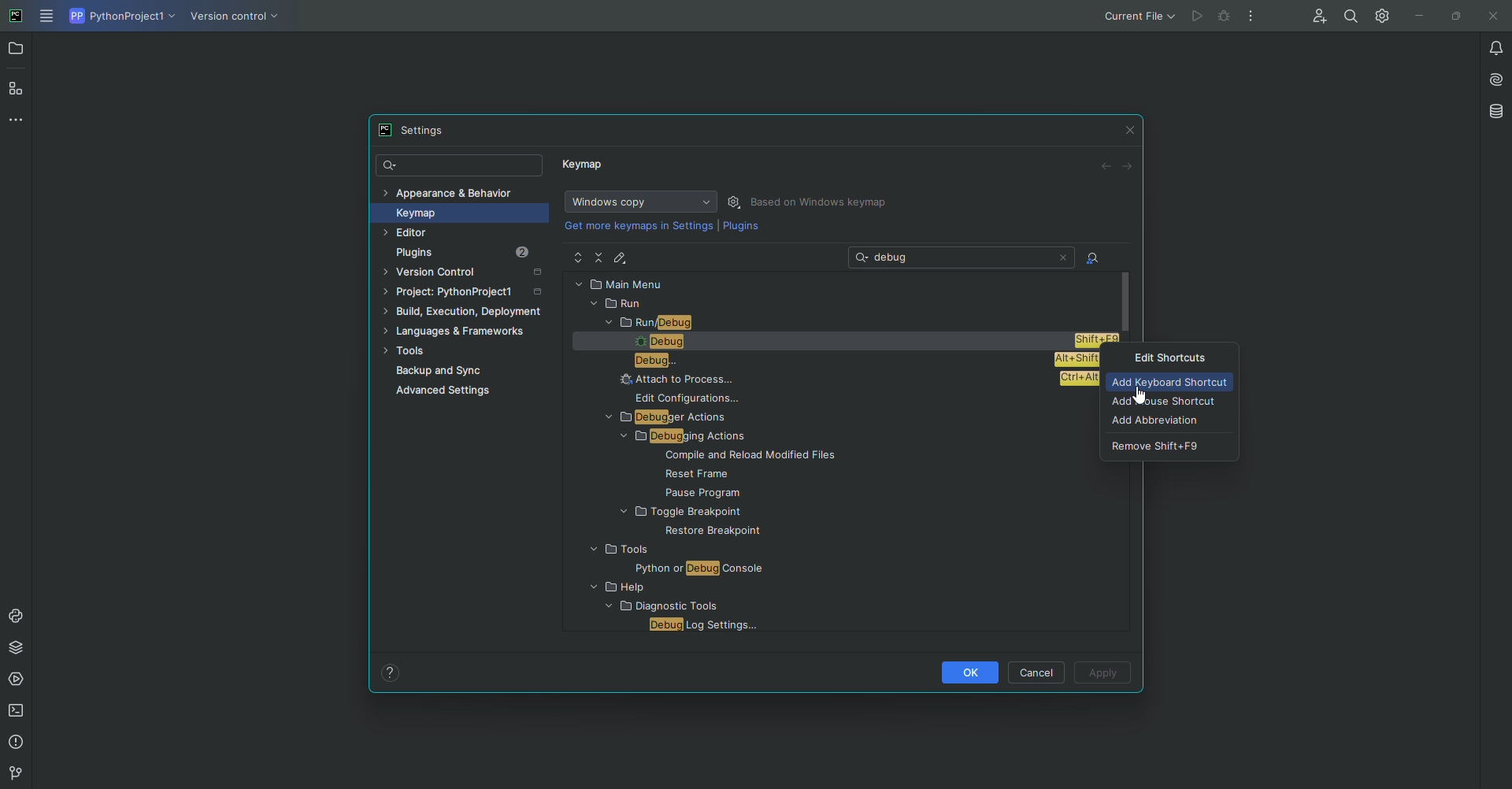 The image size is (1512, 789). Describe the element at coordinates (1487, 47) in the screenshot. I see `Notifications` at that location.